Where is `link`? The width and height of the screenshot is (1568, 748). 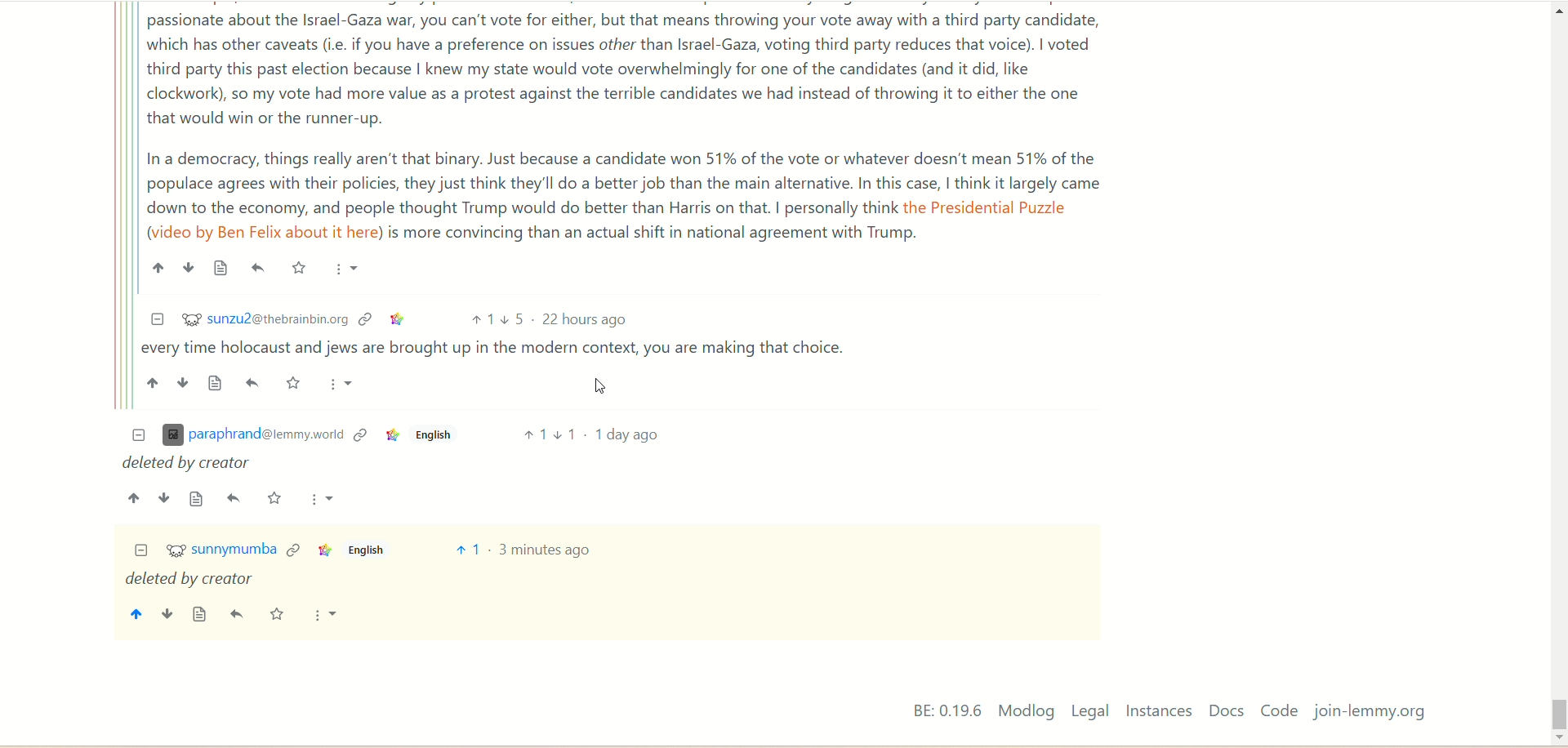 link is located at coordinates (293, 548).